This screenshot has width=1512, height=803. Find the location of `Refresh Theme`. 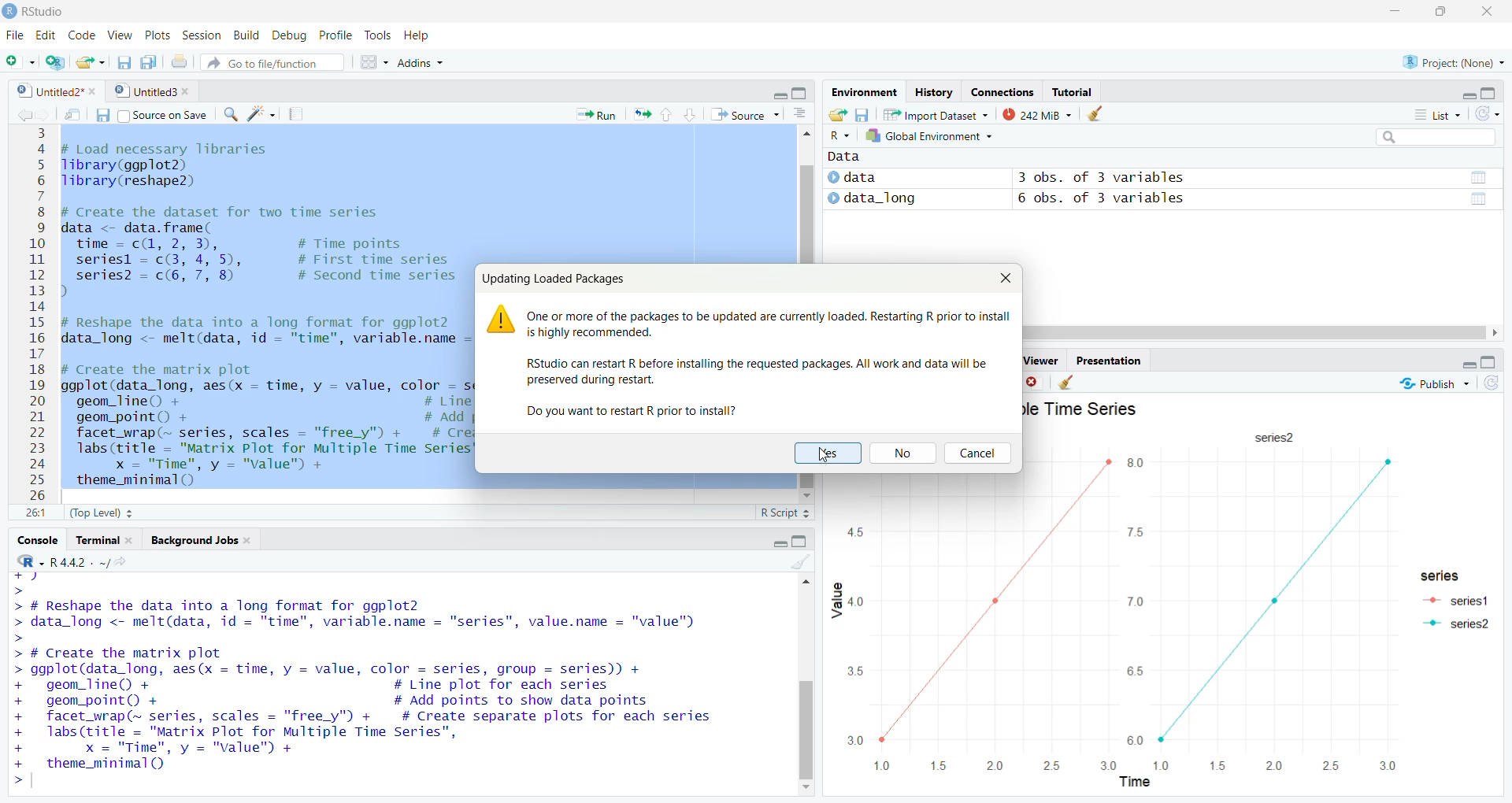

Refresh Theme is located at coordinates (1490, 383).